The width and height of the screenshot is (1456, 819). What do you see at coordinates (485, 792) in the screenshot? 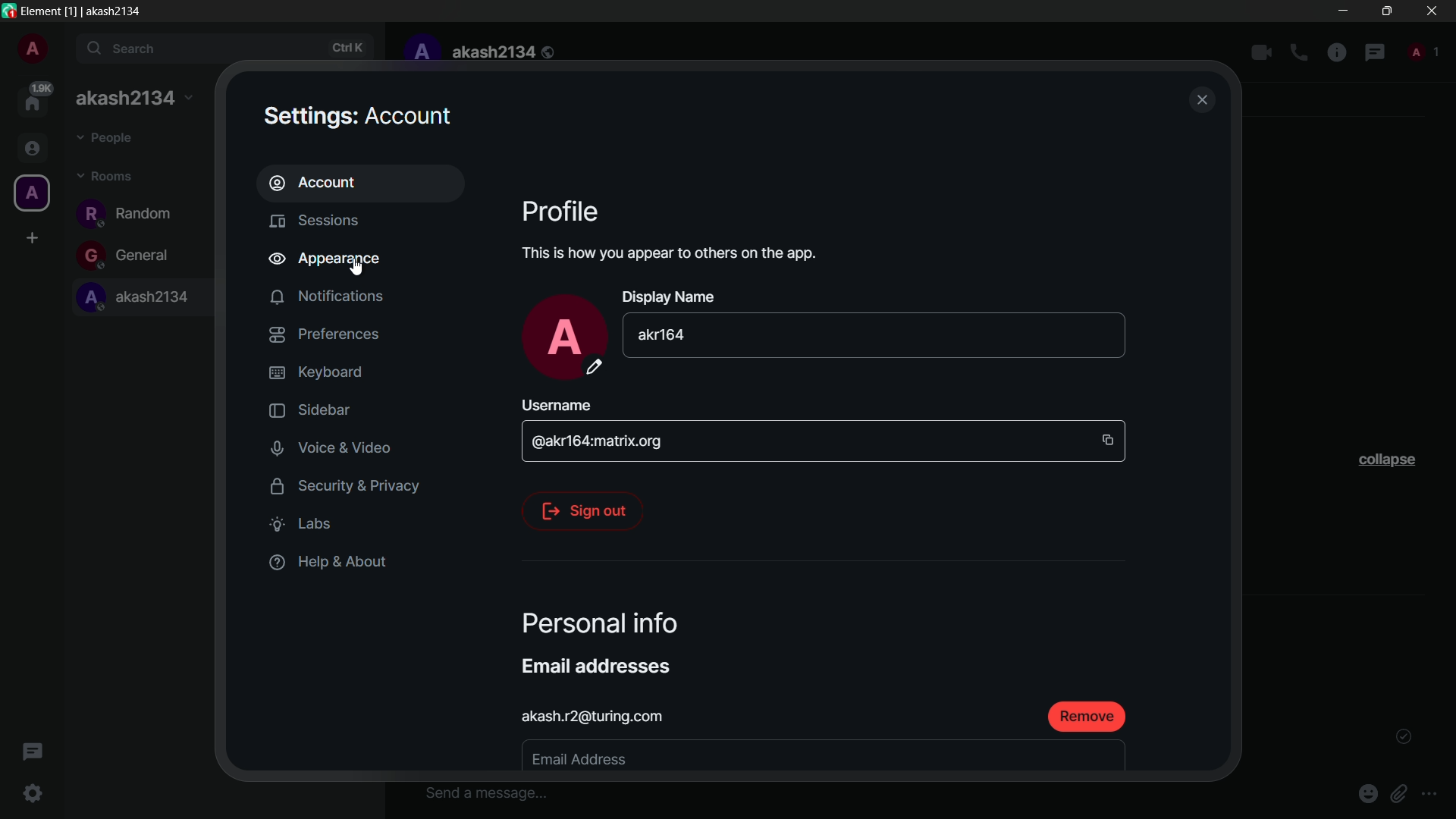
I see `input message` at bounding box center [485, 792].